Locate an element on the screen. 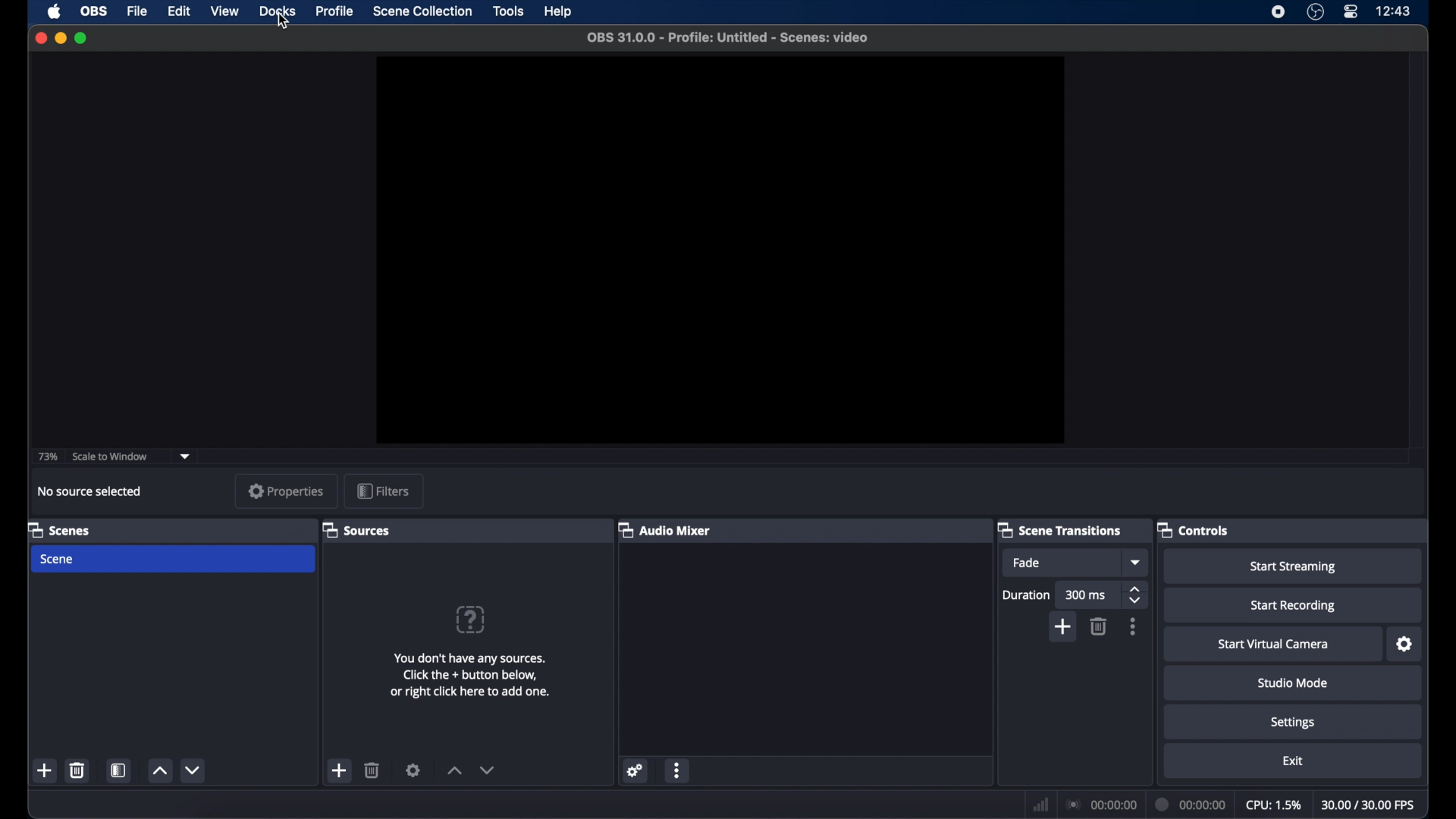 The image size is (1456, 819). fps is located at coordinates (1369, 805).